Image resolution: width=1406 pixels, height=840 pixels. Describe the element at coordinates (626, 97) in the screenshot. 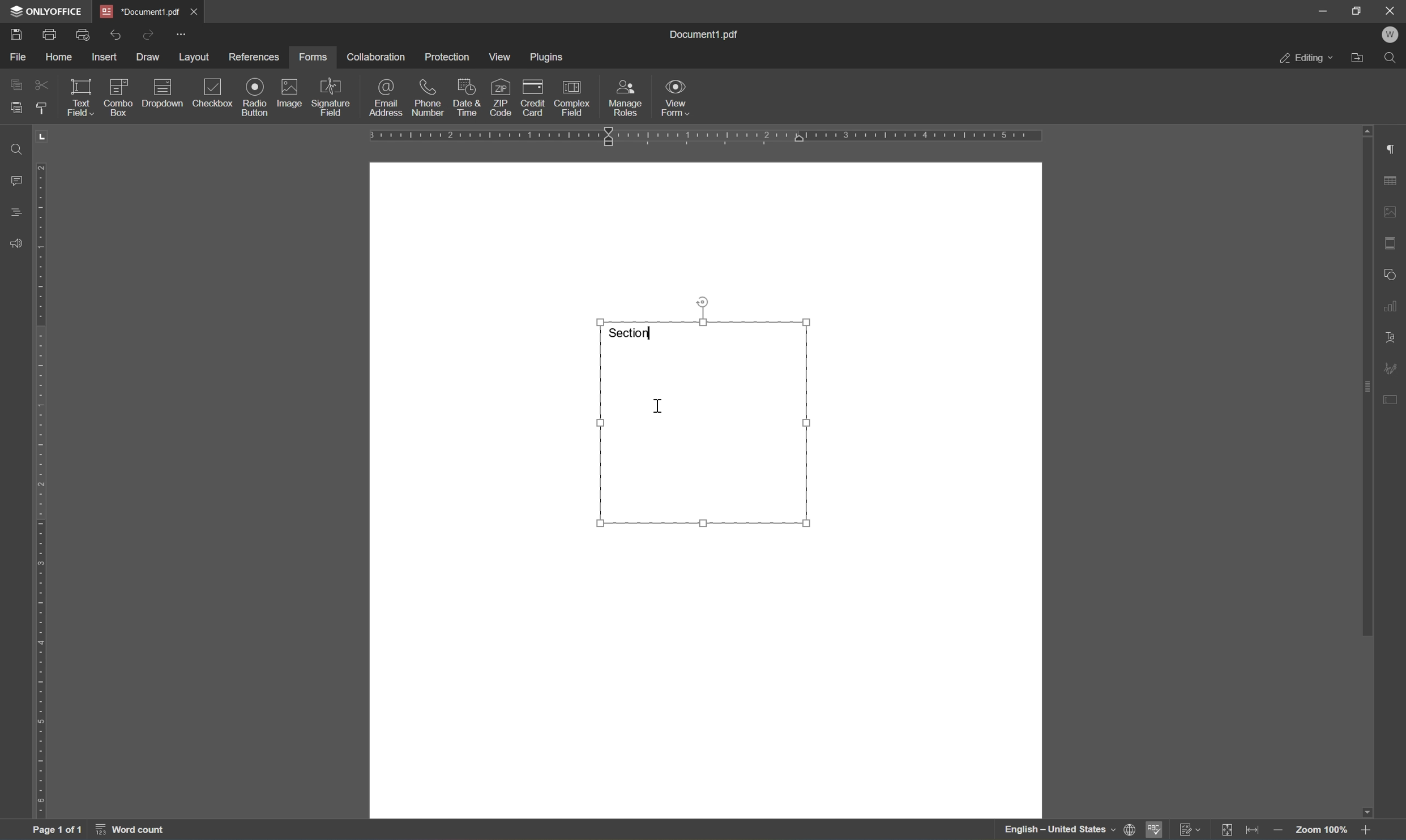

I see `manage roles` at that location.